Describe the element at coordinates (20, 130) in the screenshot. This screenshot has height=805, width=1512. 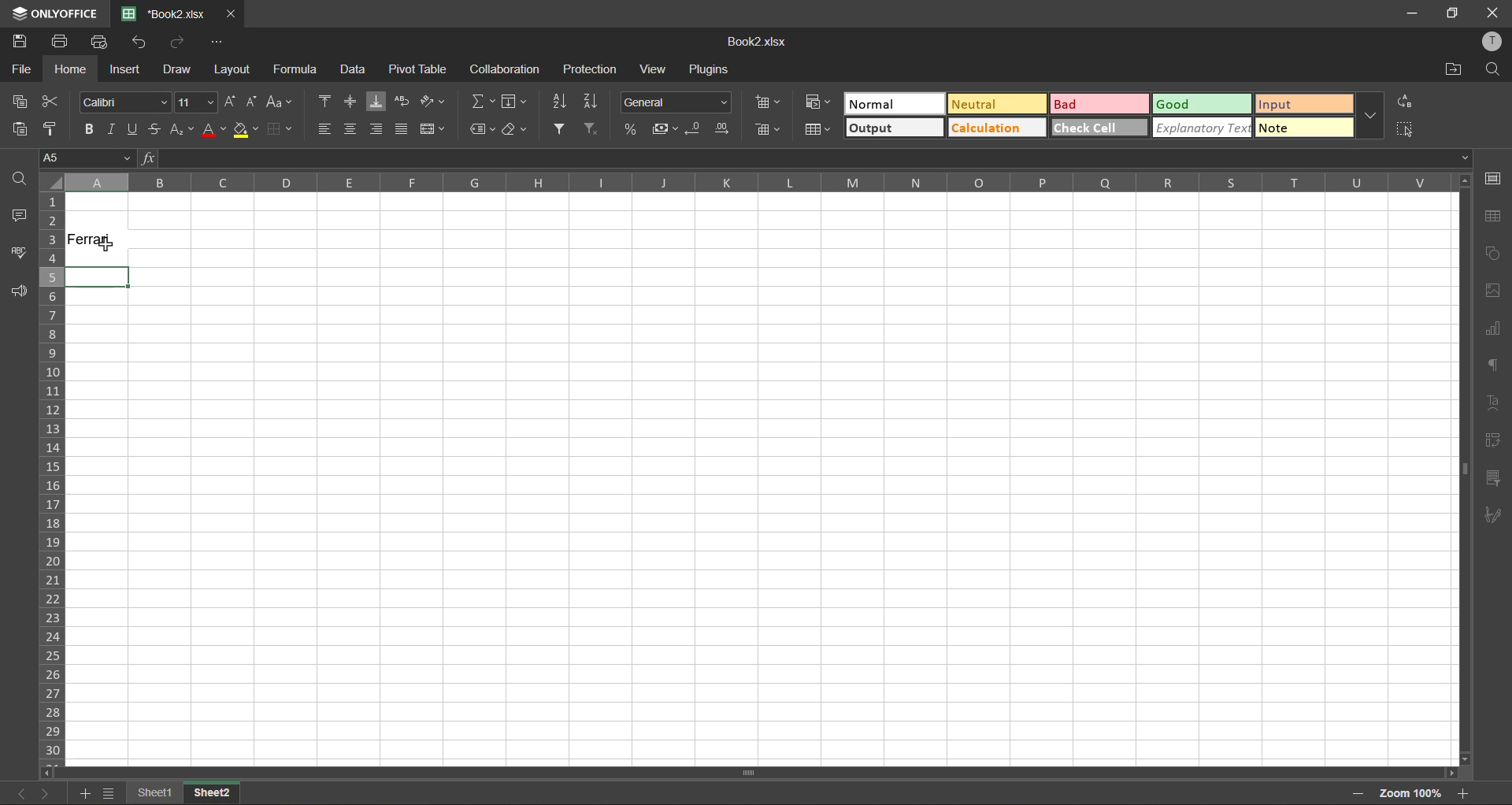
I see `paste` at that location.